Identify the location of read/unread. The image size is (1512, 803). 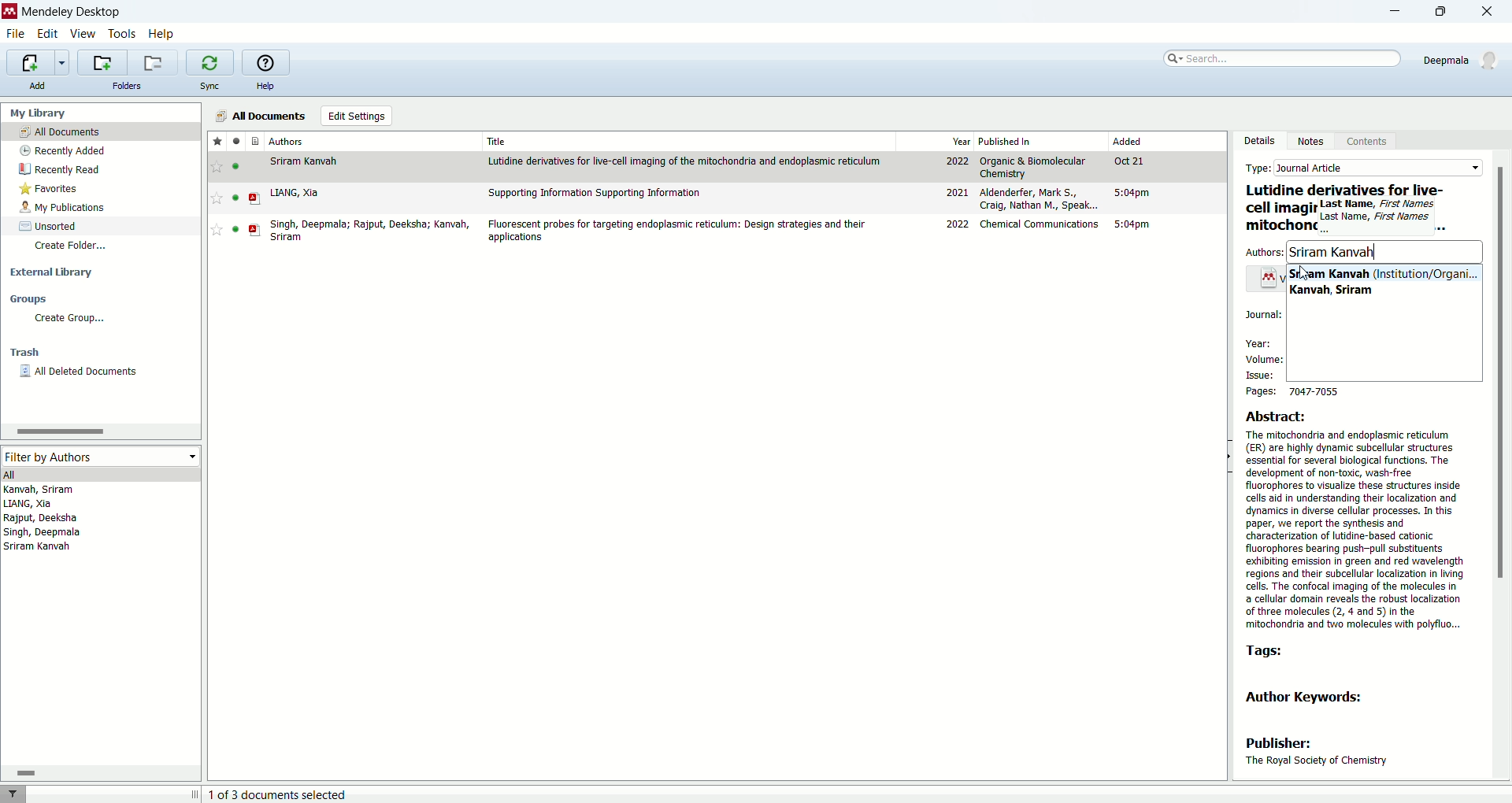
(239, 166).